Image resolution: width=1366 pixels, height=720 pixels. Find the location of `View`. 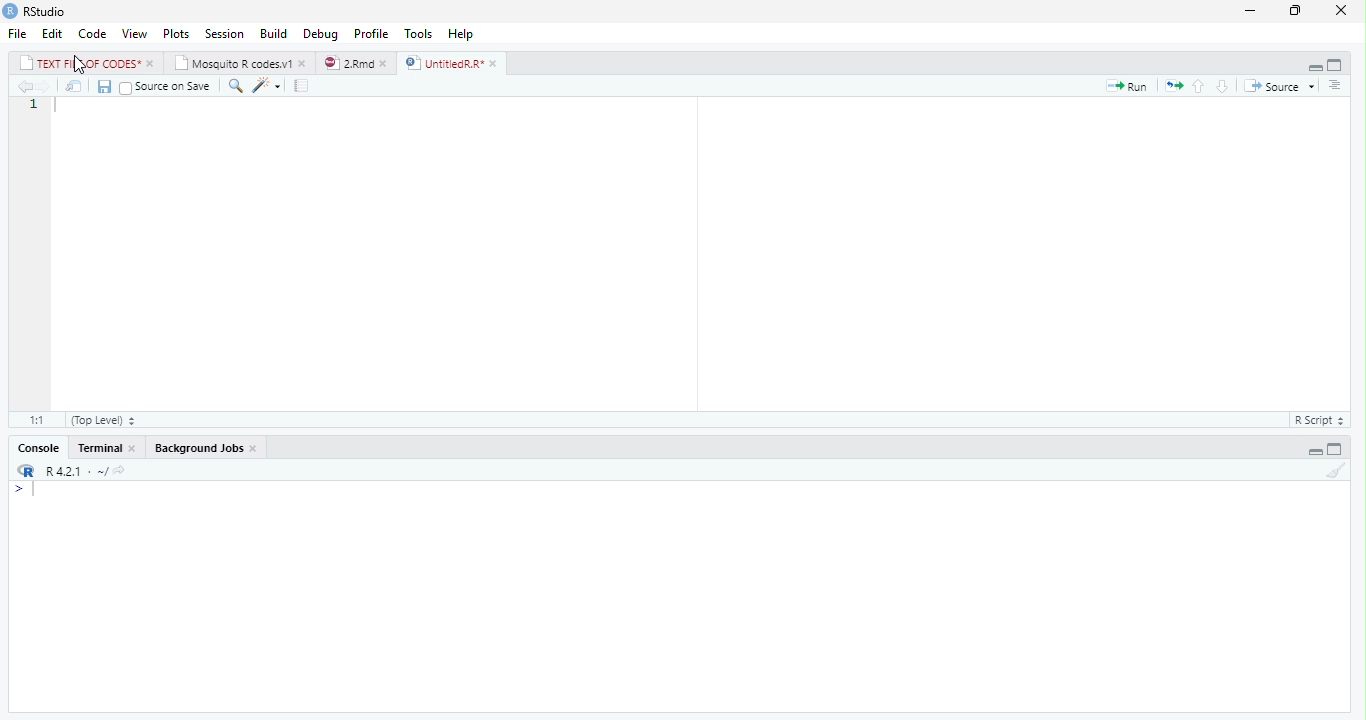

View is located at coordinates (135, 34).